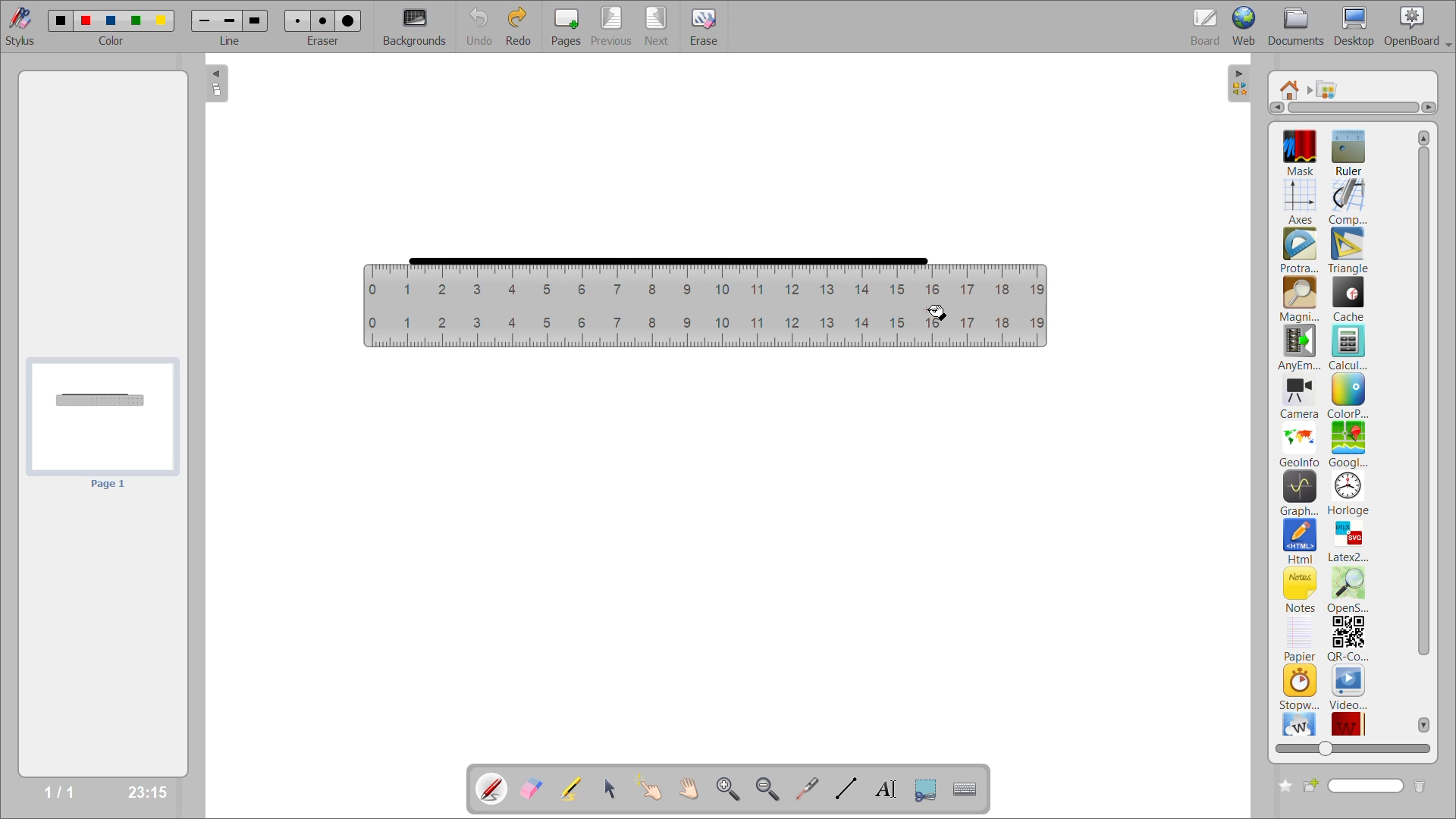  What do you see at coordinates (489, 787) in the screenshot?
I see `annotate document` at bounding box center [489, 787].